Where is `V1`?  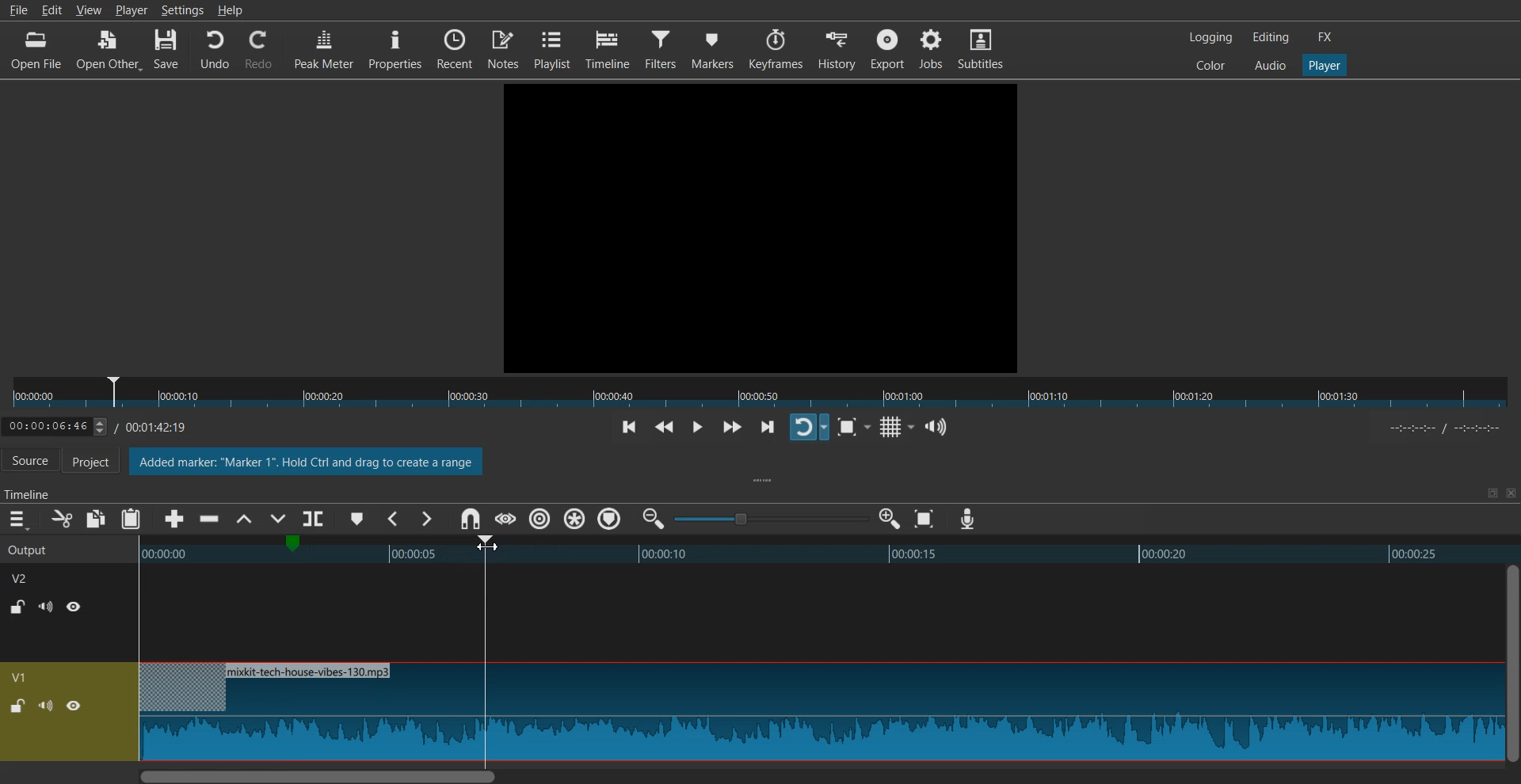
V1 is located at coordinates (21, 677).